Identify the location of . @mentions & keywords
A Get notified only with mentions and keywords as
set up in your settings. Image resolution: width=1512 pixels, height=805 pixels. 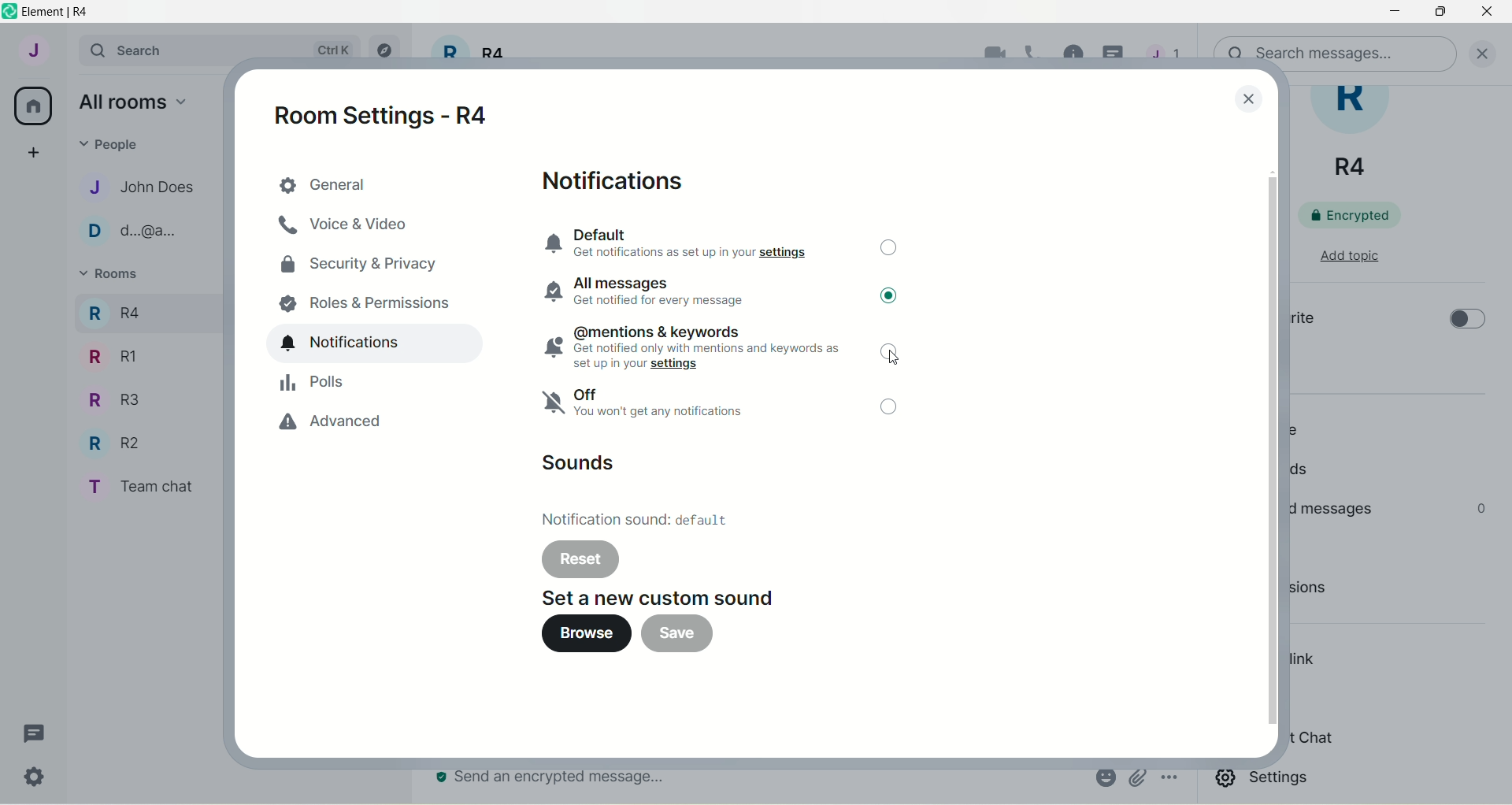
(686, 347).